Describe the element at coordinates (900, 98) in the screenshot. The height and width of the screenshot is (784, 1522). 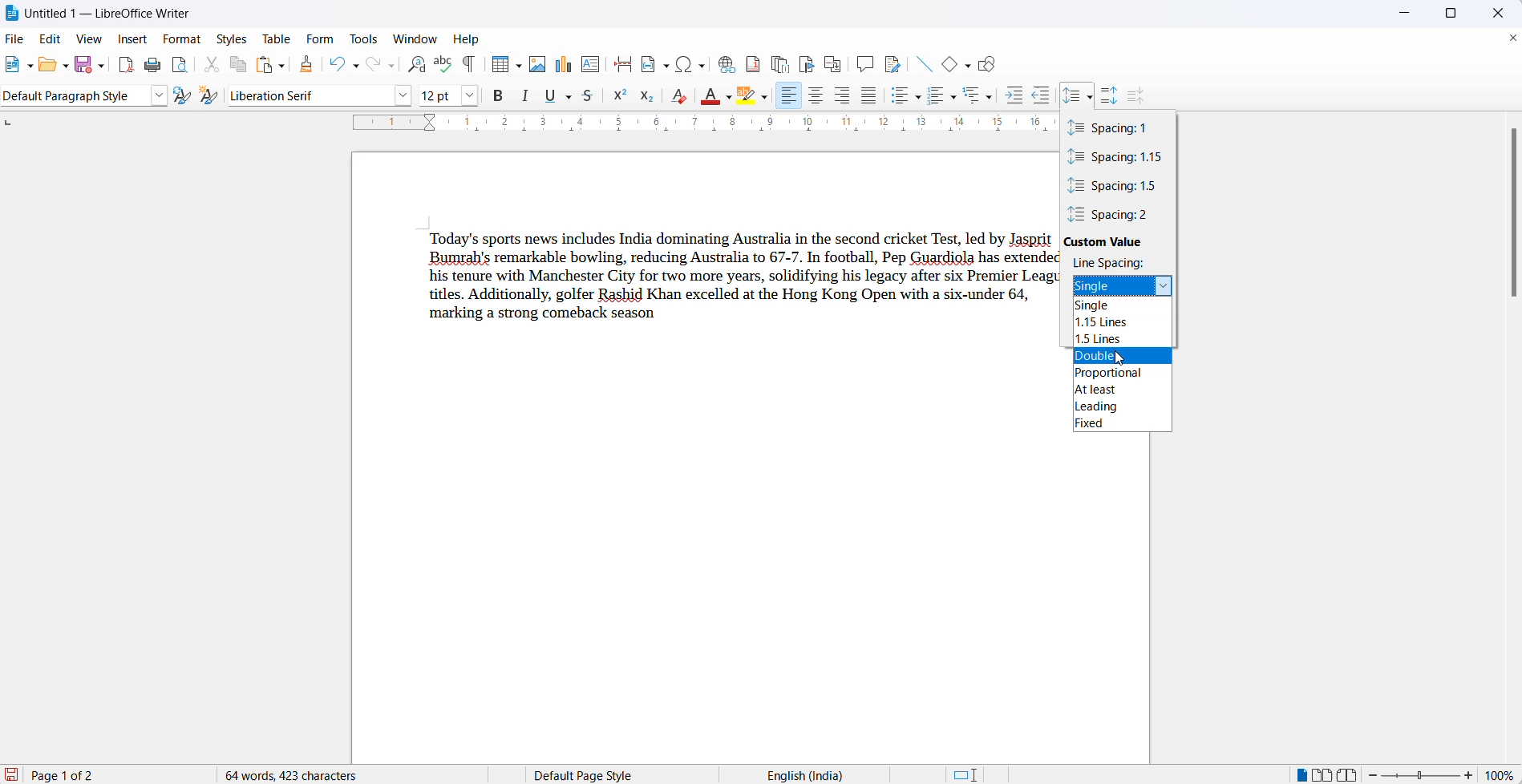
I see `toggle unordered list` at that location.